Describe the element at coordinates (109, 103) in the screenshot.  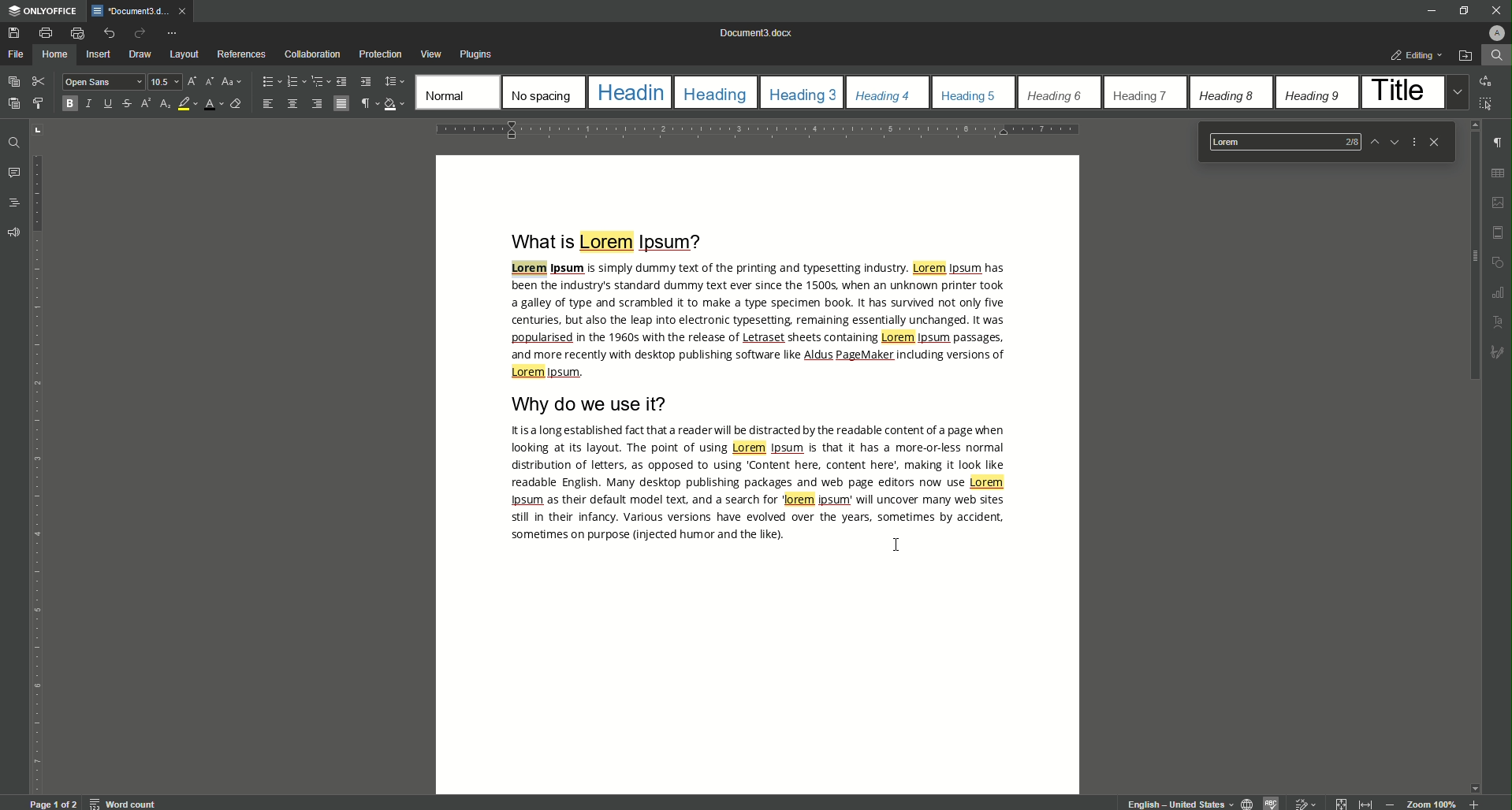
I see `Underline` at that location.